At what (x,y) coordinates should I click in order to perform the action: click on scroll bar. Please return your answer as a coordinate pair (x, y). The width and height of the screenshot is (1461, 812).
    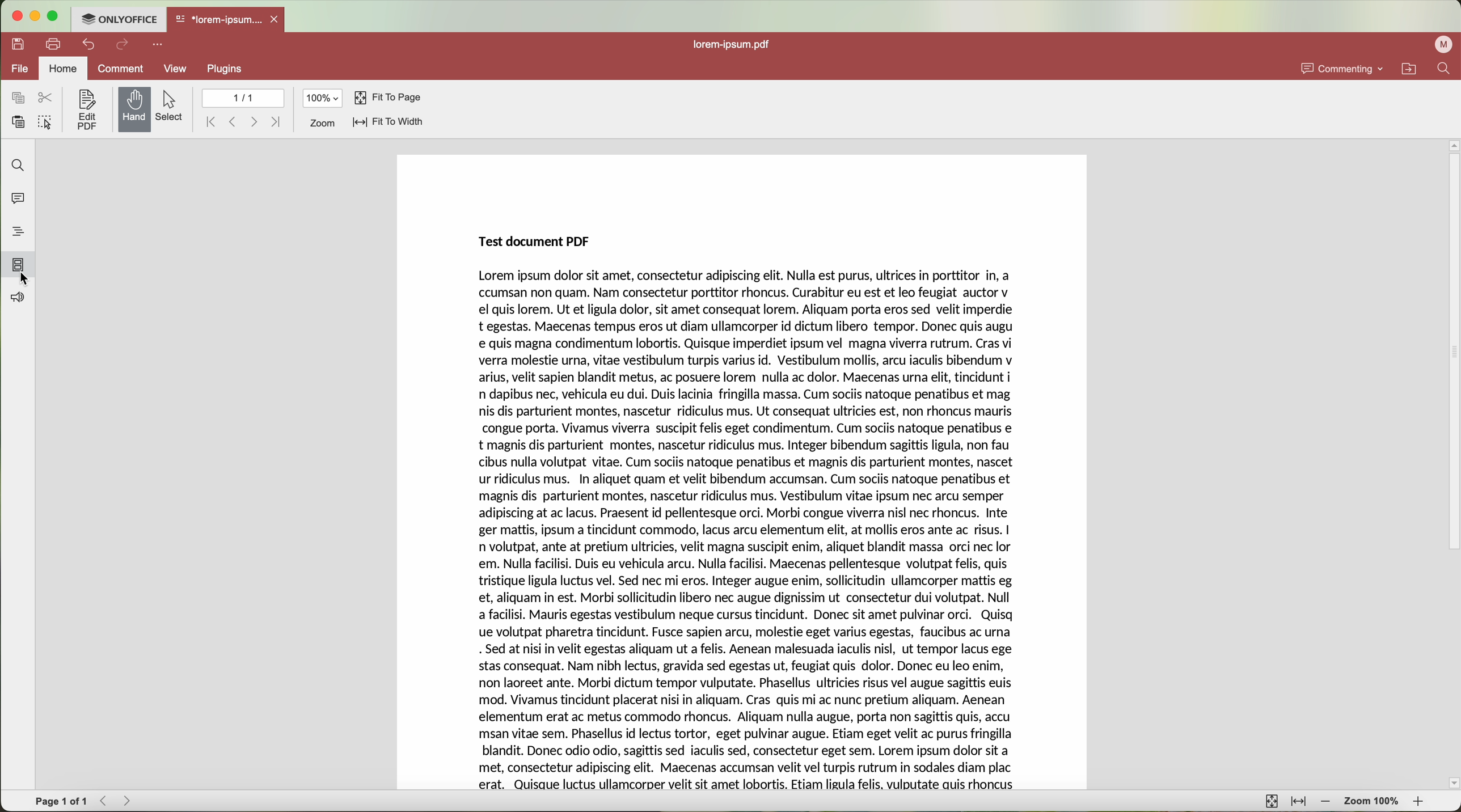
    Looking at the image, I should click on (1452, 463).